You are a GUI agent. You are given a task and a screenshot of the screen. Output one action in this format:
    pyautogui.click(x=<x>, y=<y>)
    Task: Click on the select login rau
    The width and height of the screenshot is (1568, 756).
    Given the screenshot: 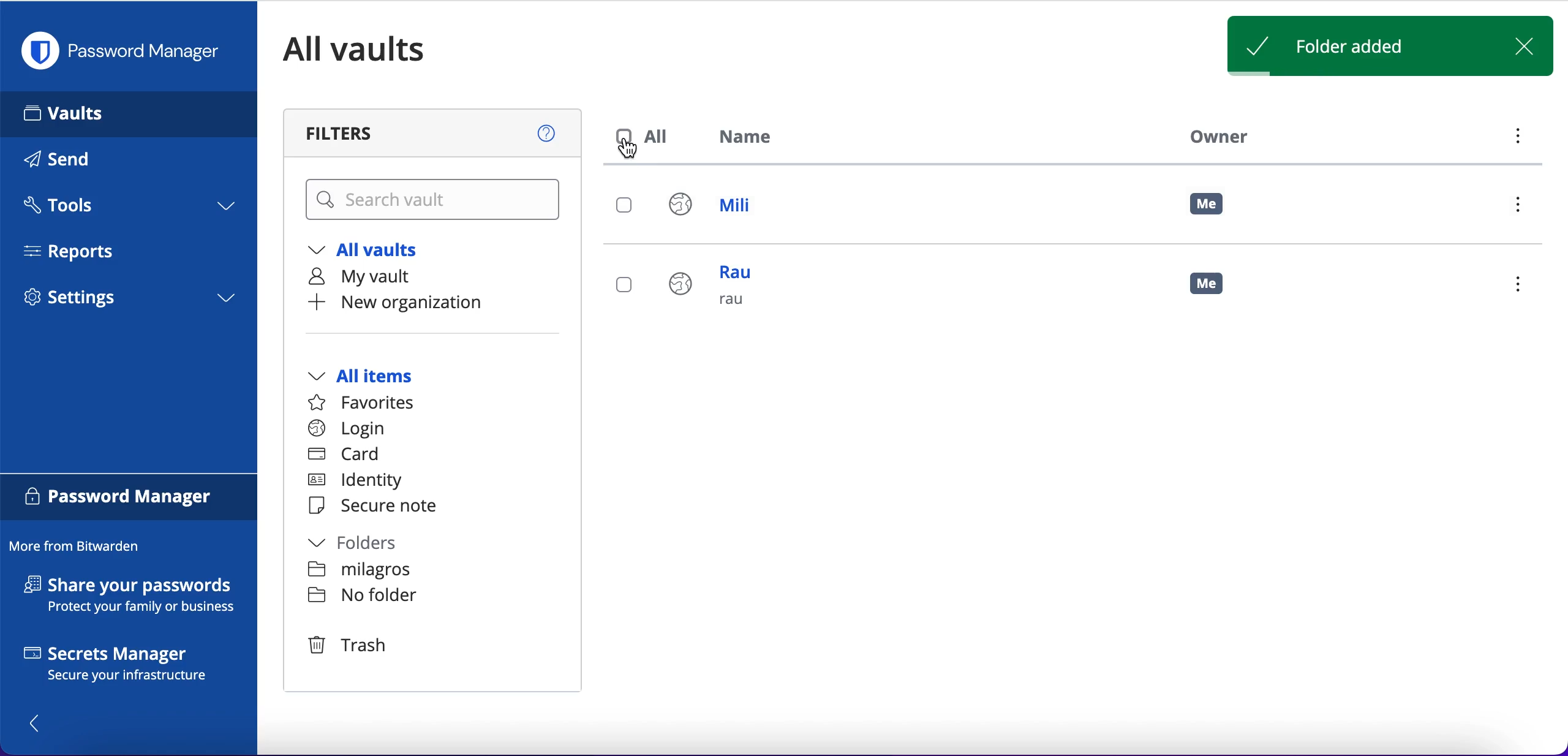 What is the action you would take?
    pyautogui.click(x=622, y=285)
    